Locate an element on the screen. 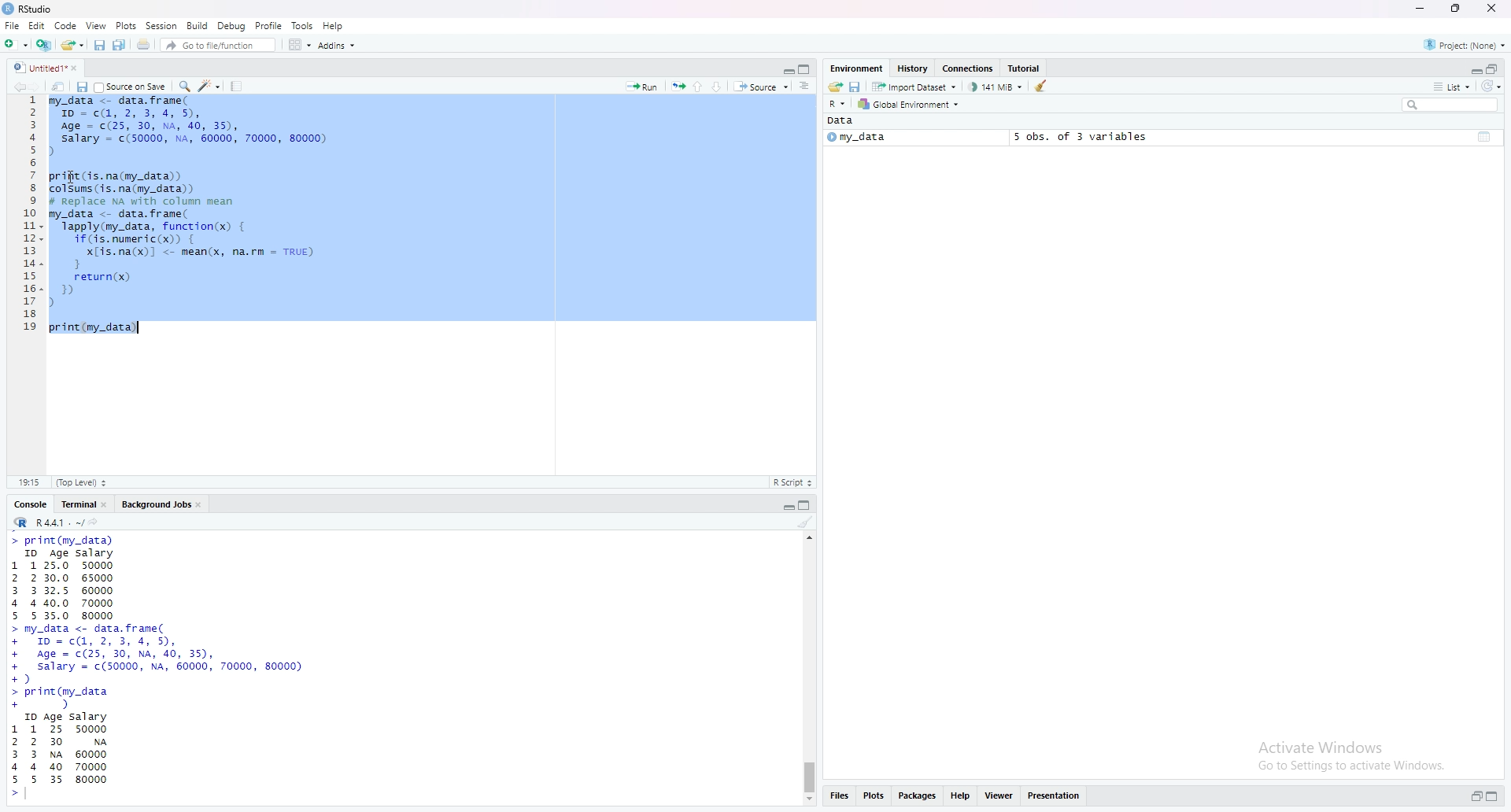 The width and height of the screenshot is (1511, 812). global environment is located at coordinates (911, 105).